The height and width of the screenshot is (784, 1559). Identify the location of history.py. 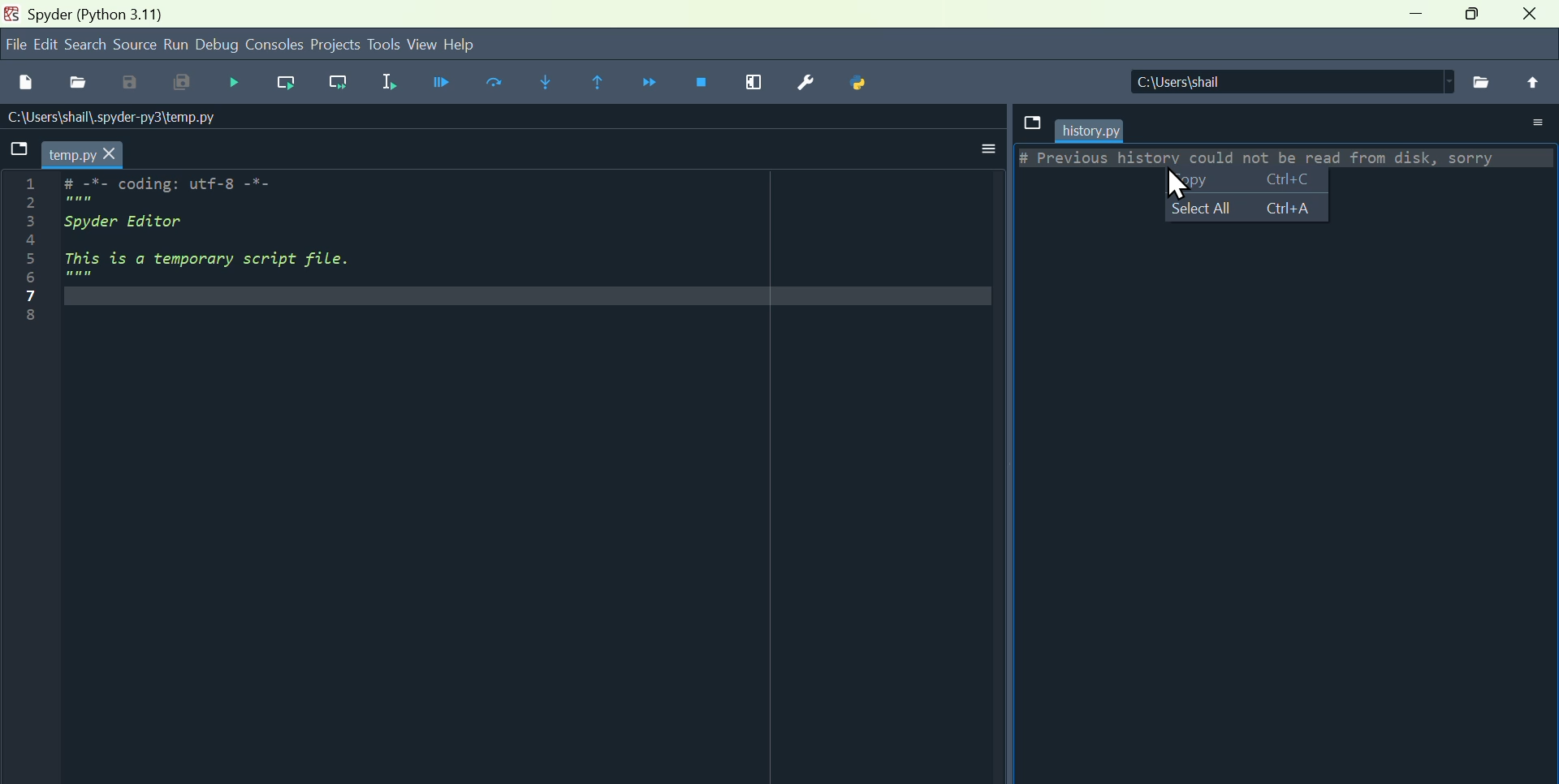
(1090, 131).